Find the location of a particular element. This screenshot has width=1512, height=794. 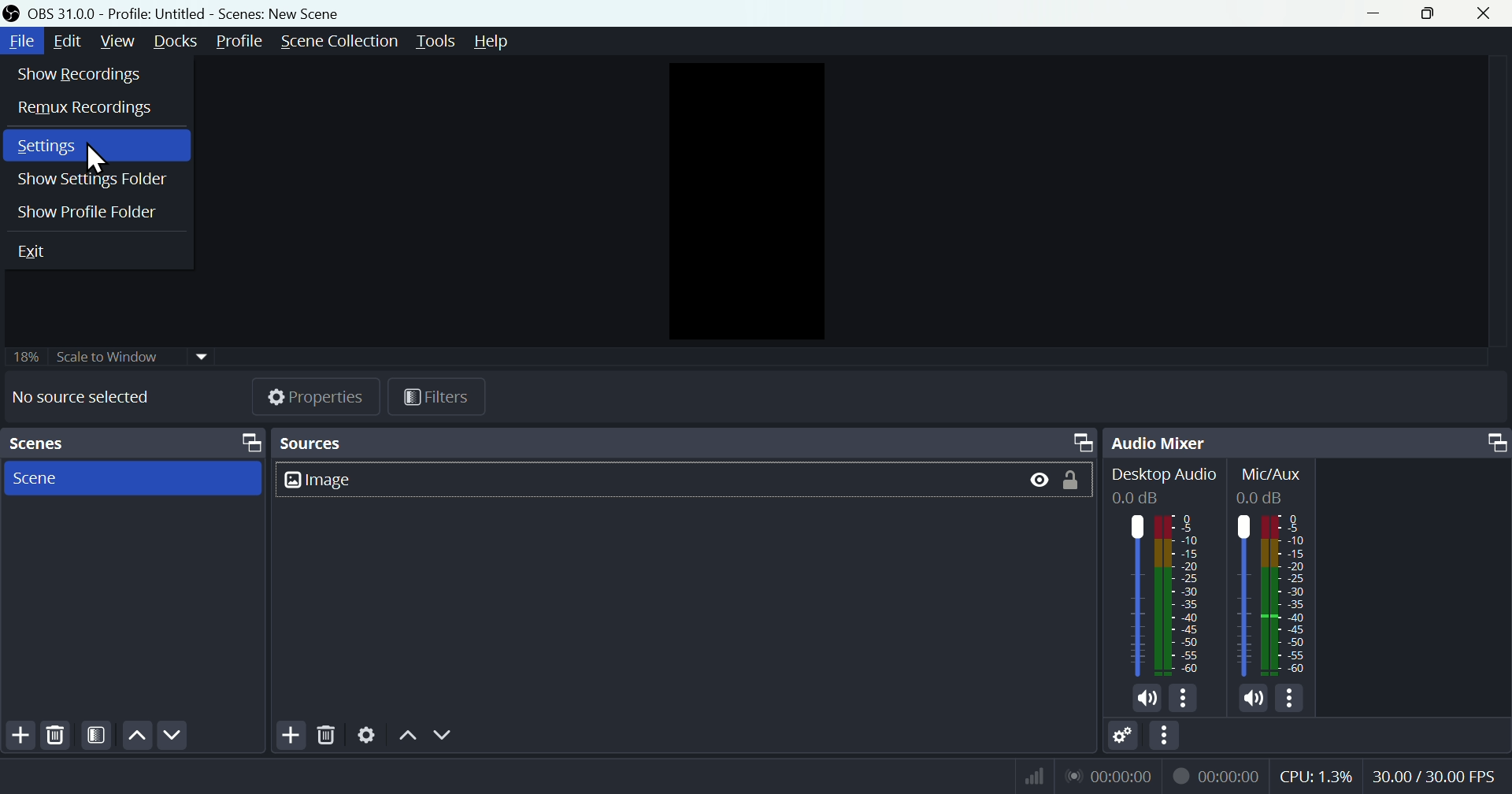

 is located at coordinates (1274, 594).